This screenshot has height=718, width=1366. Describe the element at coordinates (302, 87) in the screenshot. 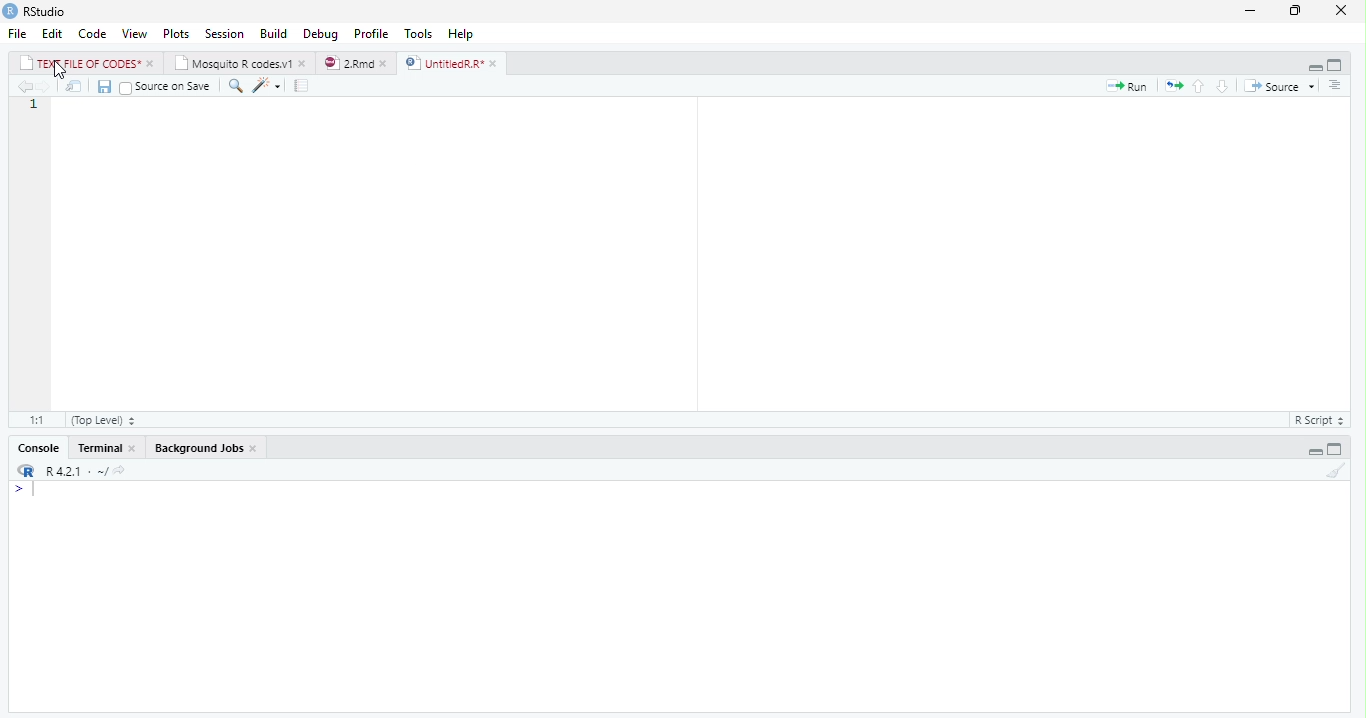

I see `Guideline` at that location.